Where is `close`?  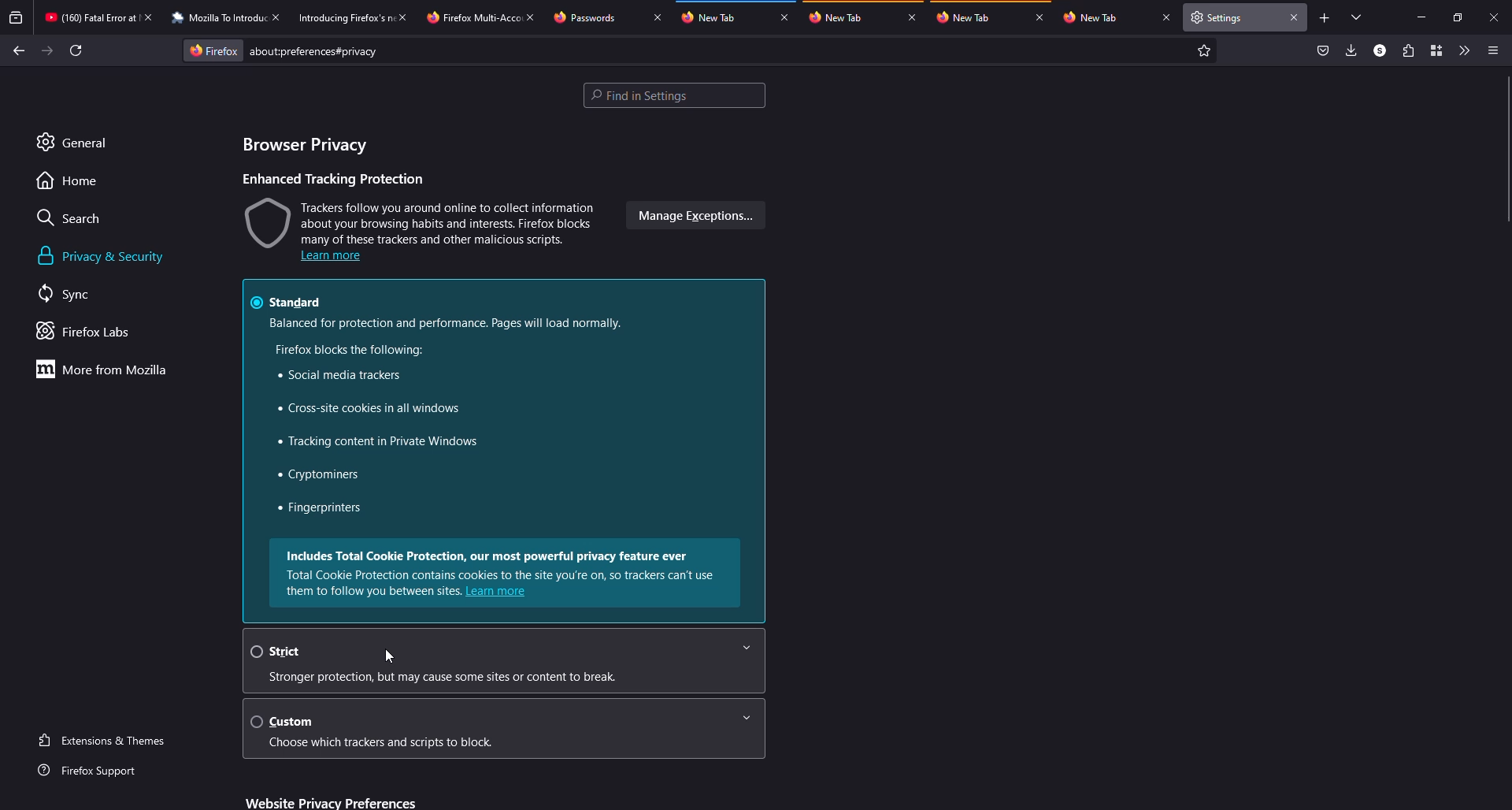 close is located at coordinates (655, 17).